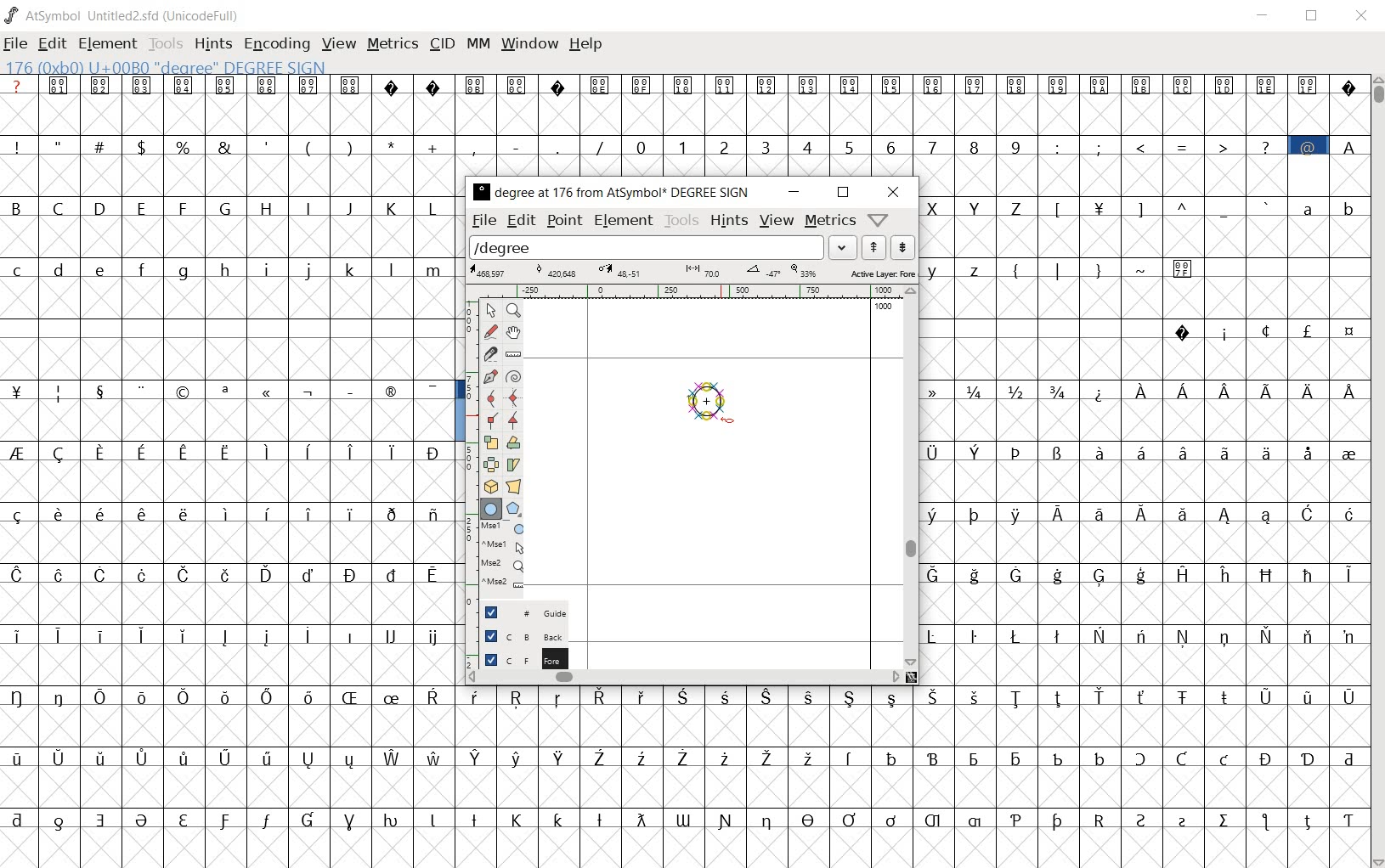 This screenshot has width=1385, height=868. What do you see at coordinates (692, 271) in the screenshot?
I see `active layer: foreground` at bounding box center [692, 271].